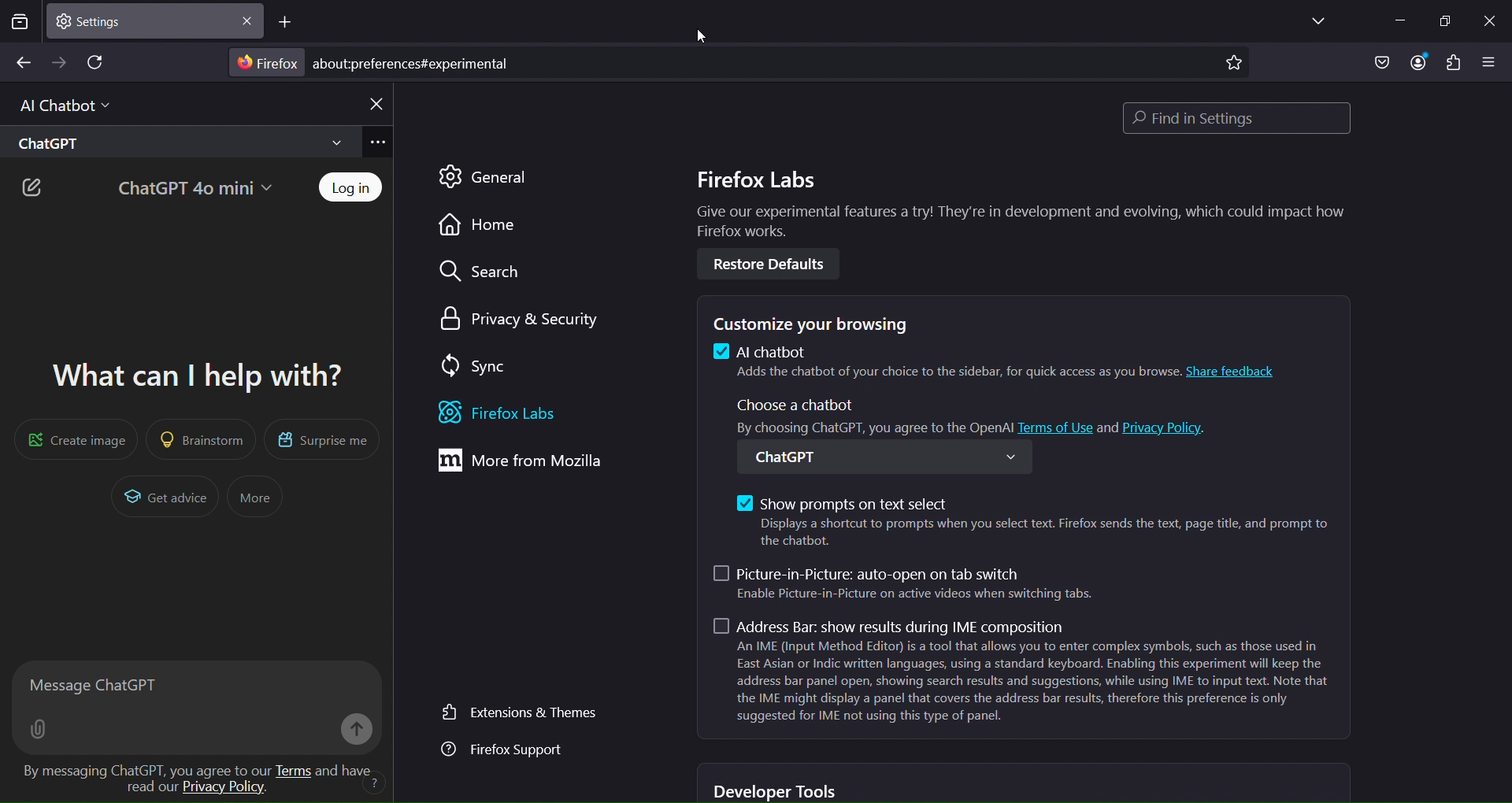 Image resolution: width=1512 pixels, height=803 pixels. I want to click on firefox labs, so click(517, 413).